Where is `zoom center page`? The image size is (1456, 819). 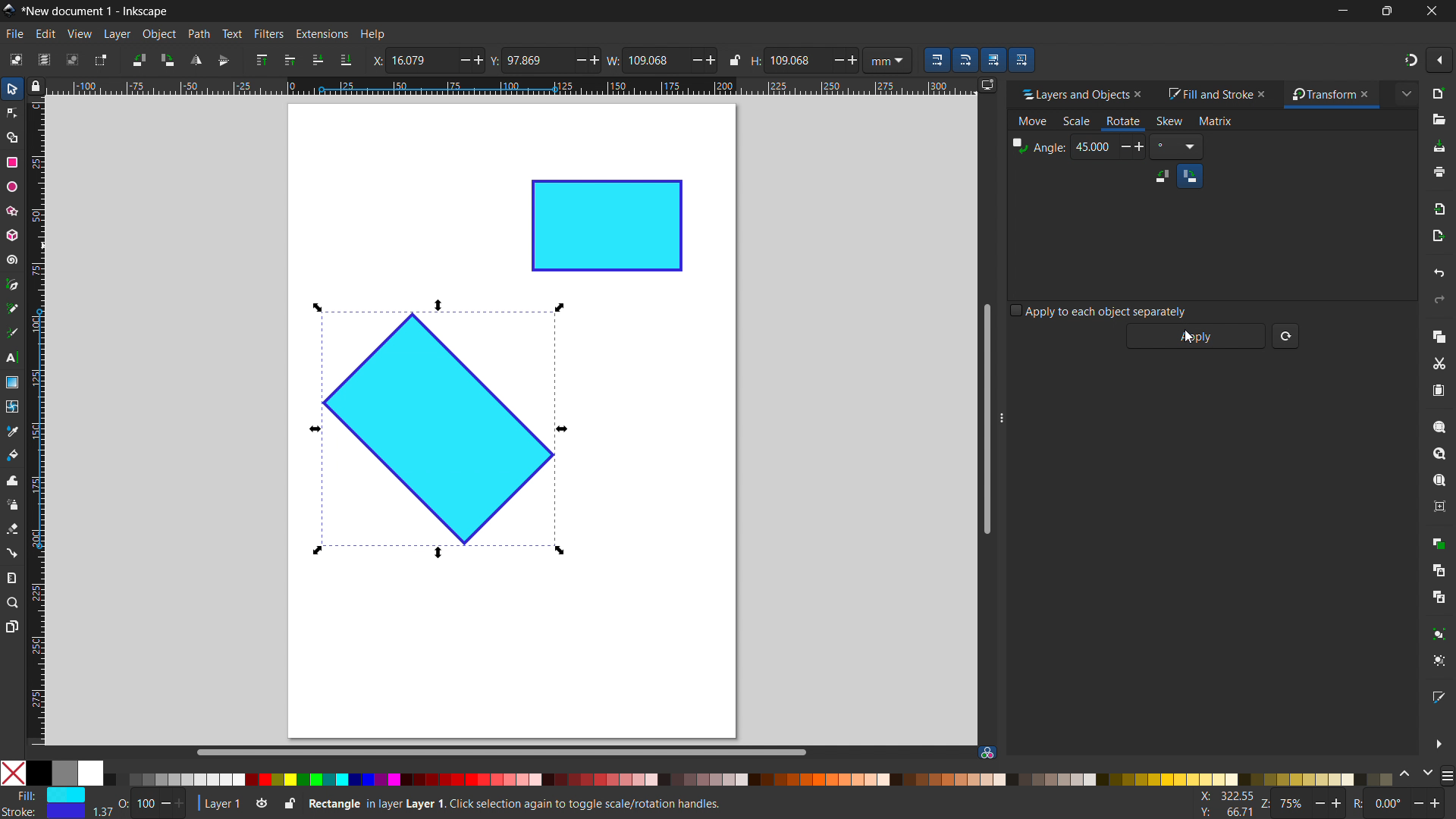 zoom center page is located at coordinates (1439, 507).